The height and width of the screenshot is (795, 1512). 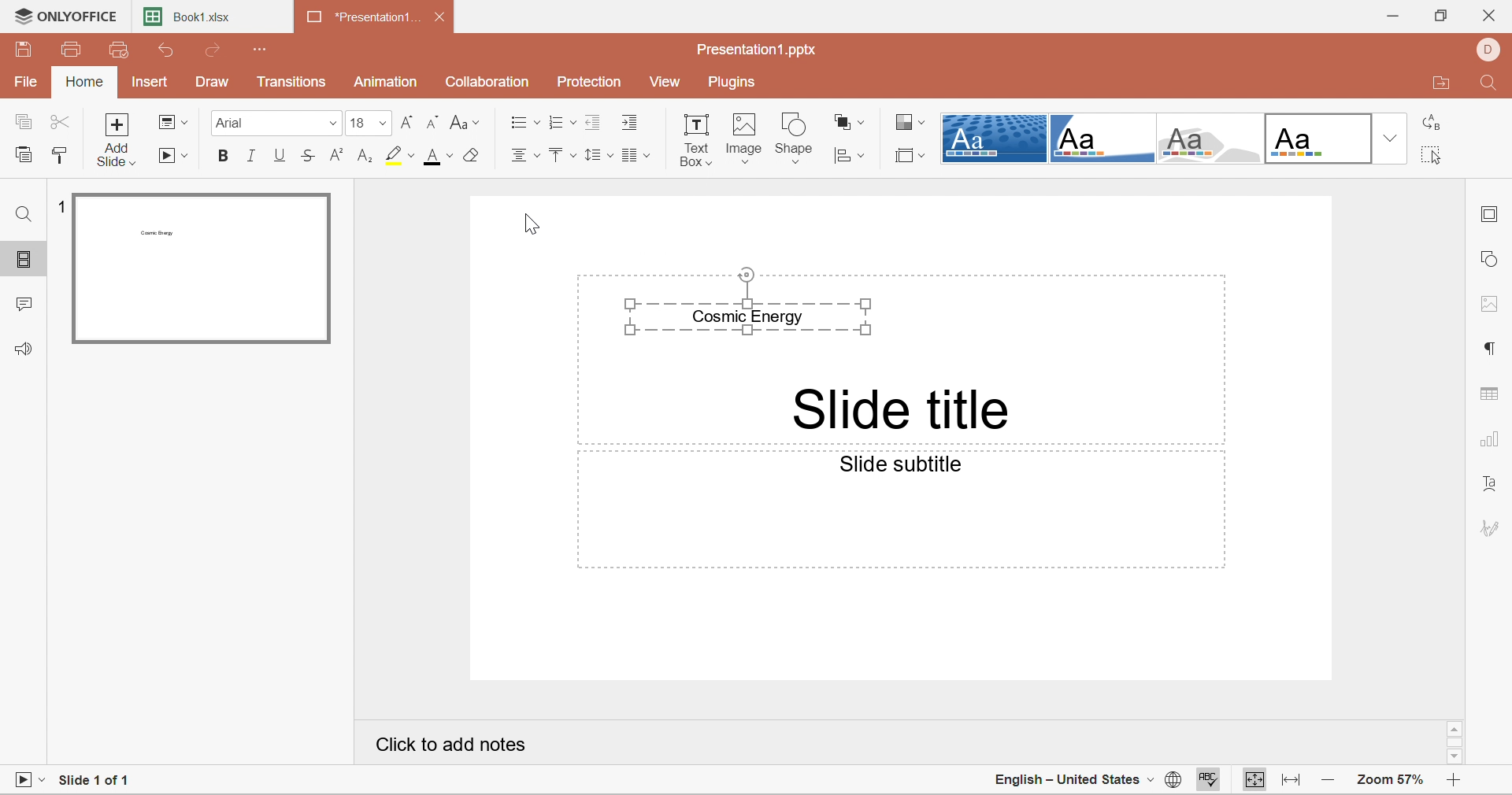 What do you see at coordinates (1494, 527) in the screenshot?
I see `Signature settings` at bounding box center [1494, 527].